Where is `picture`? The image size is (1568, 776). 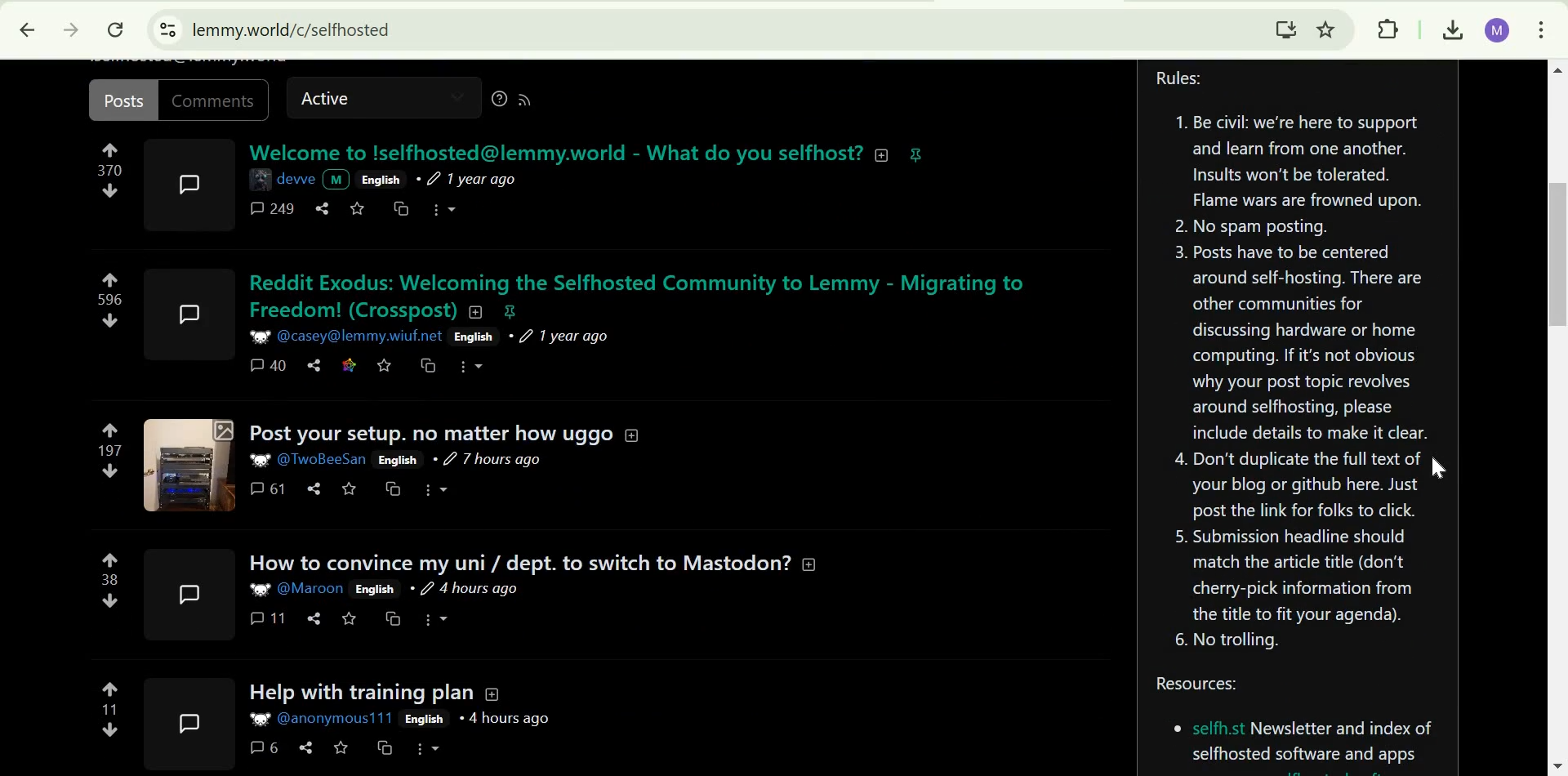 picture is located at coordinates (257, 590).